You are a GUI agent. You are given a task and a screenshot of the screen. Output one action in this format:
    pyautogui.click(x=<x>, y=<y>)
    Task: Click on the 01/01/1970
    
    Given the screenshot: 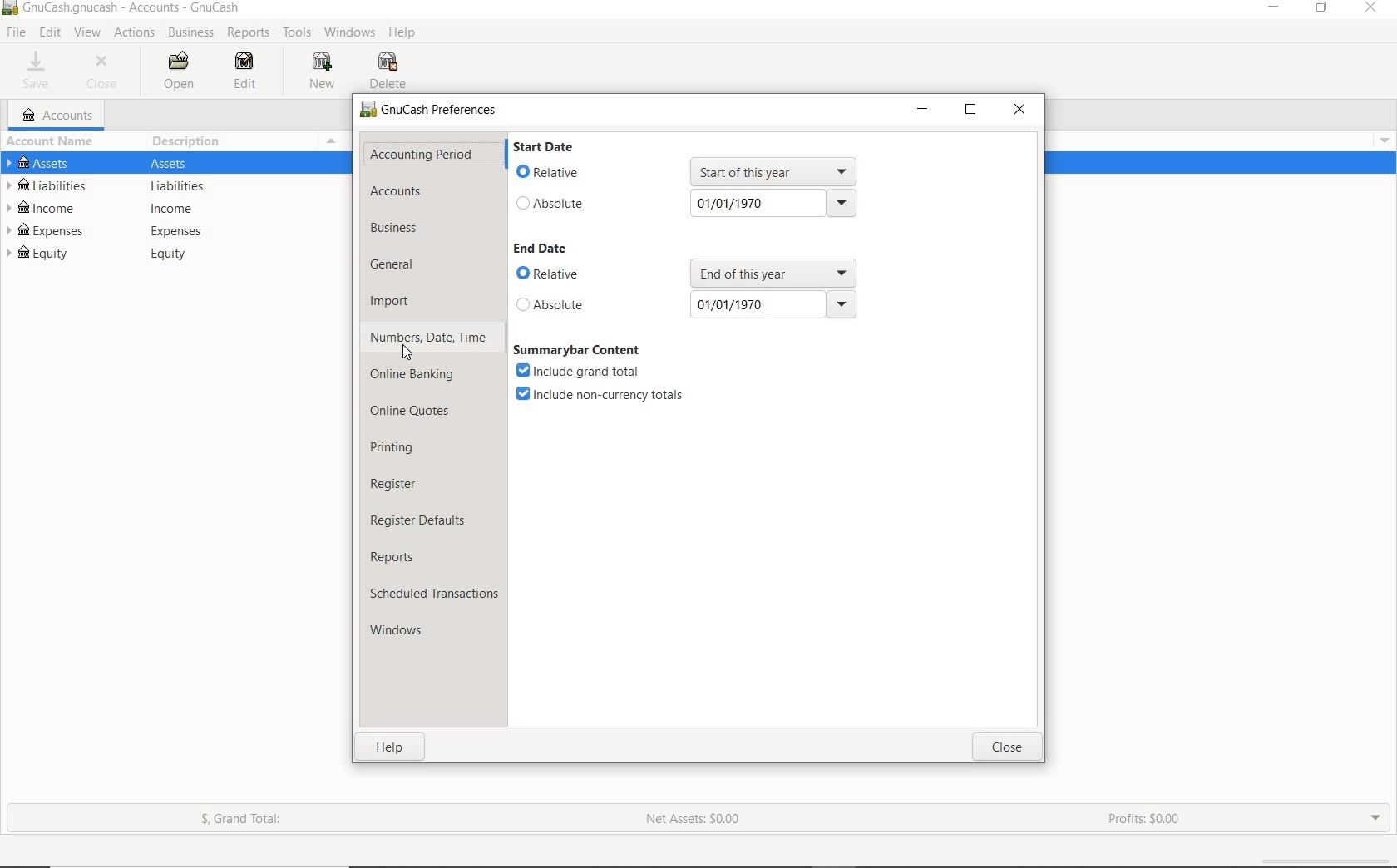 What is the action you would take?
    pyautogui.click(x=770, y=204)
    